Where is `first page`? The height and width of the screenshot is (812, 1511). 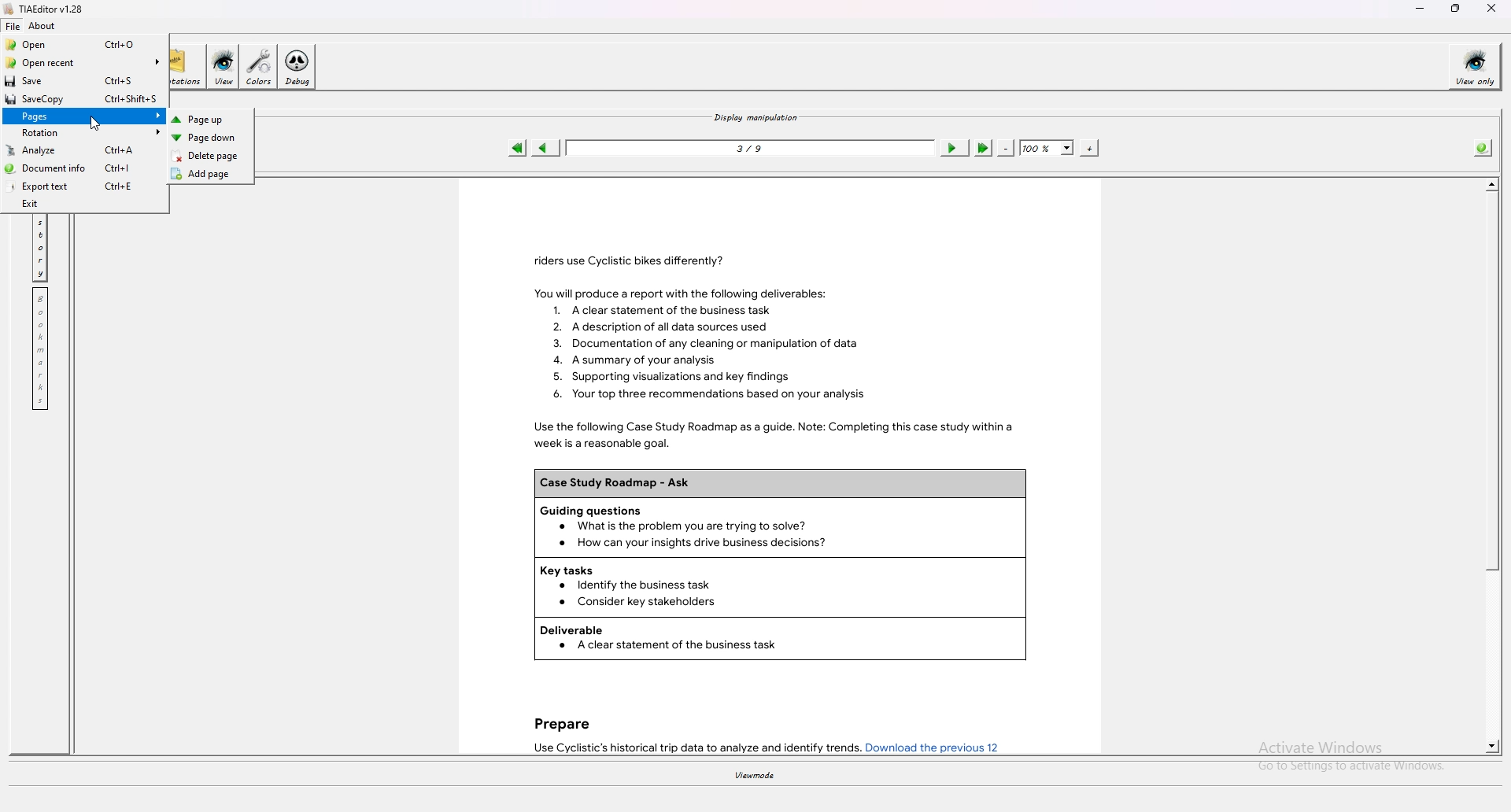
first page is located at coordinates (518, 147).